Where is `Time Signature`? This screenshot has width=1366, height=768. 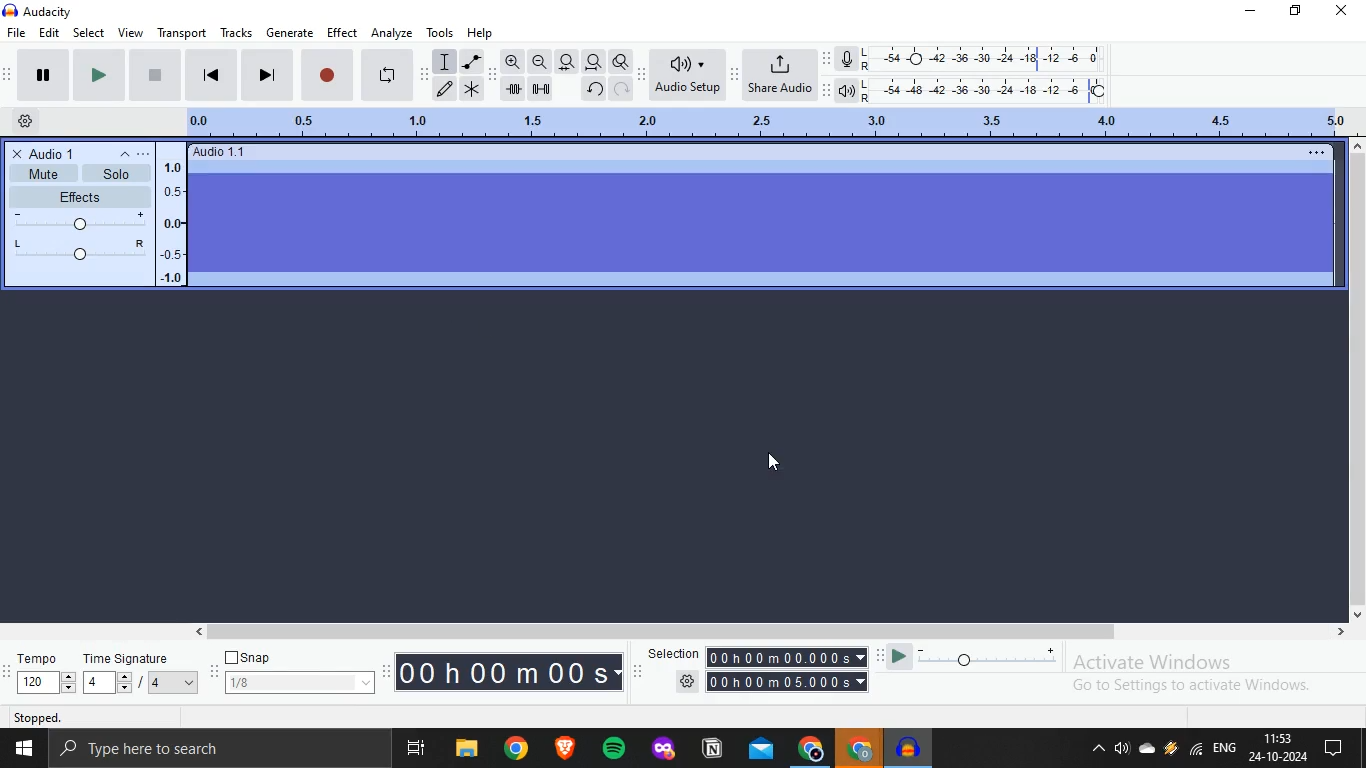
Time Signature is located at coordinates (143, 673).